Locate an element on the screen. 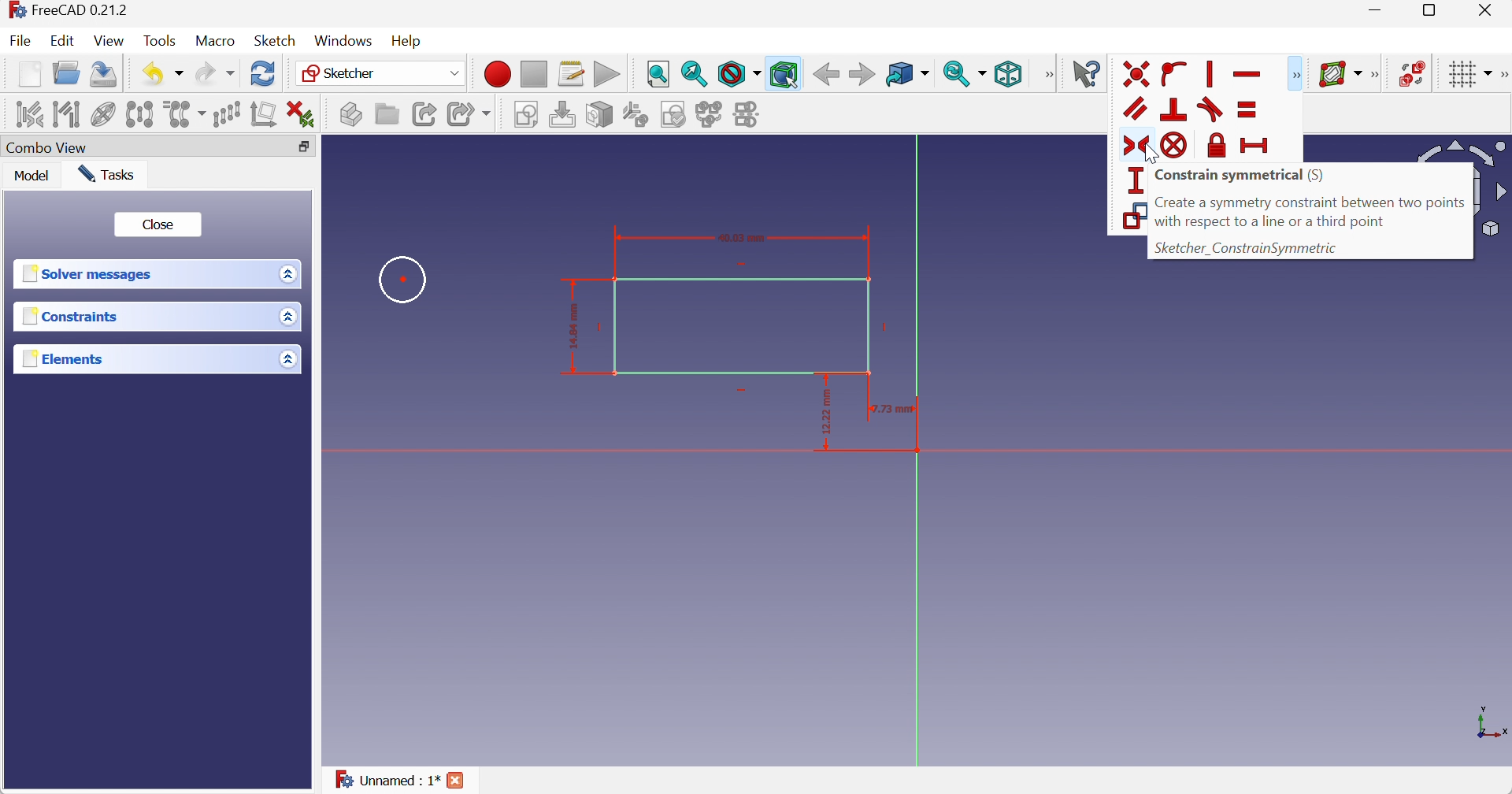 The width and height of the screenshot is (1512, 794). Tasks is located at coordinates (106, 174).